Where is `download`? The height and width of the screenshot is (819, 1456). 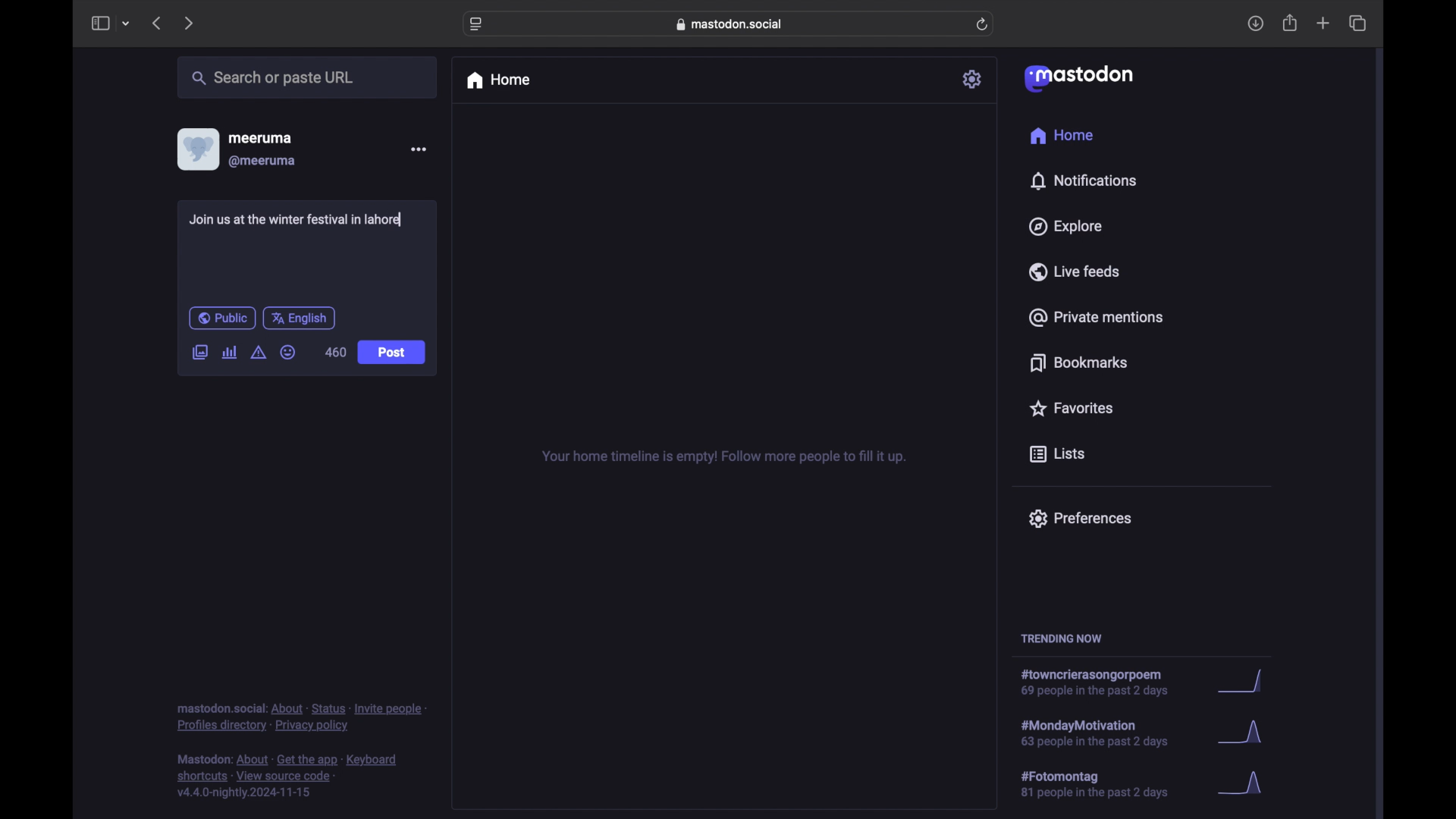 download is located at coordinates (1256, 24).